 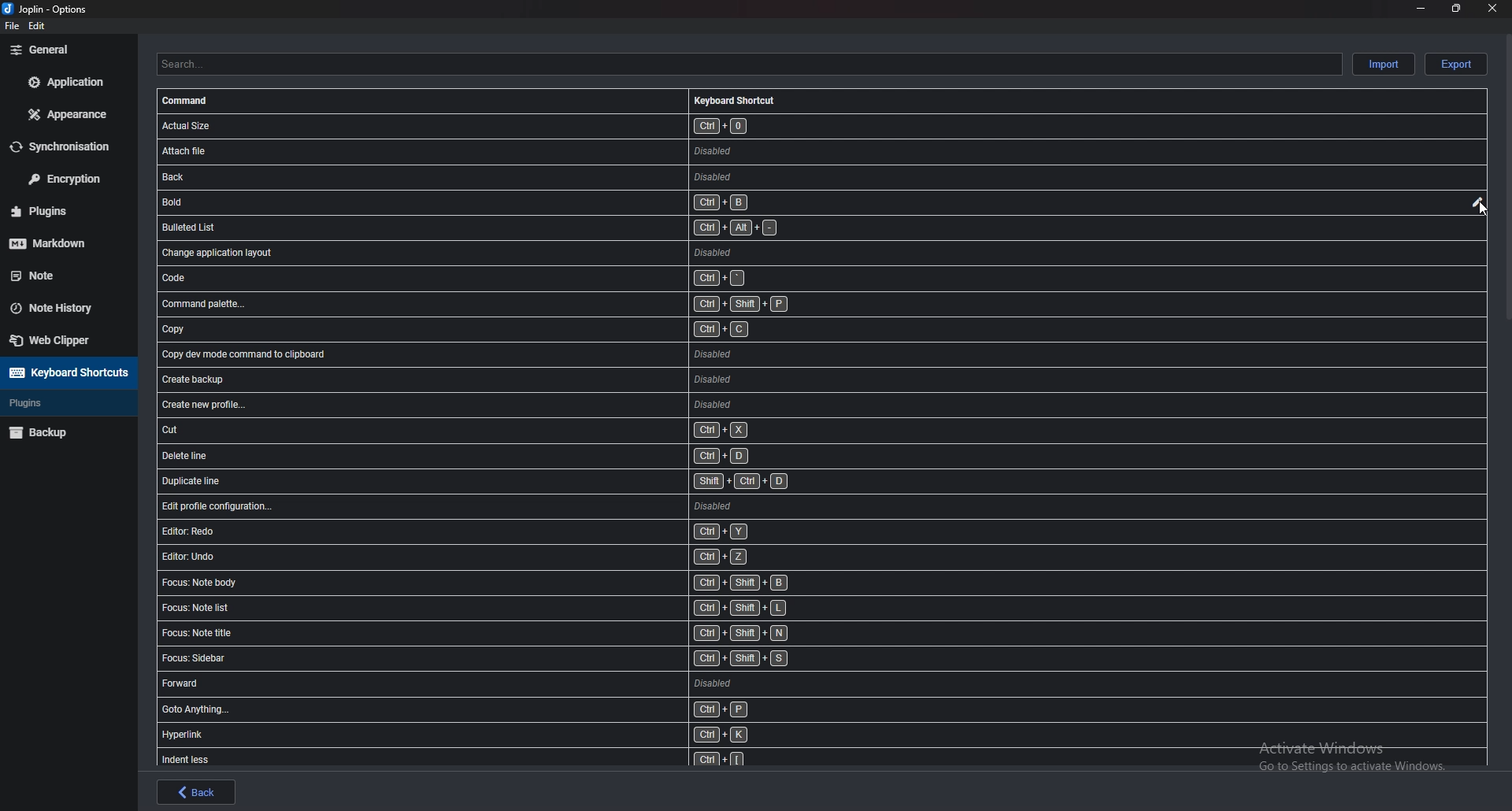 What do you see at coordinates (195, 791) in the screenshot?
I see `back` at bounding box center [195, 791].